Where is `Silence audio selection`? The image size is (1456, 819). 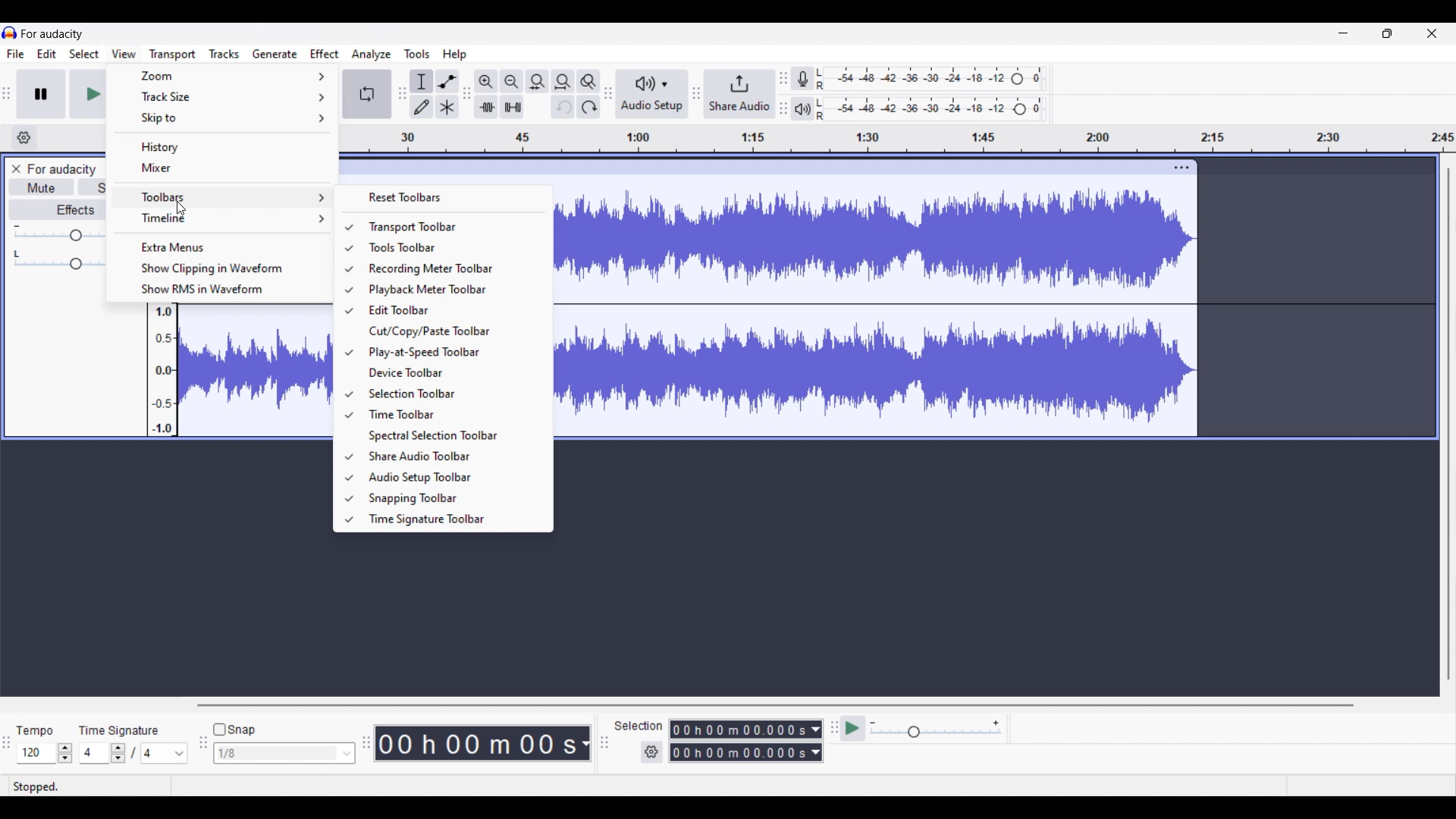
Silence audio selection is located at coordinates (512, 107).